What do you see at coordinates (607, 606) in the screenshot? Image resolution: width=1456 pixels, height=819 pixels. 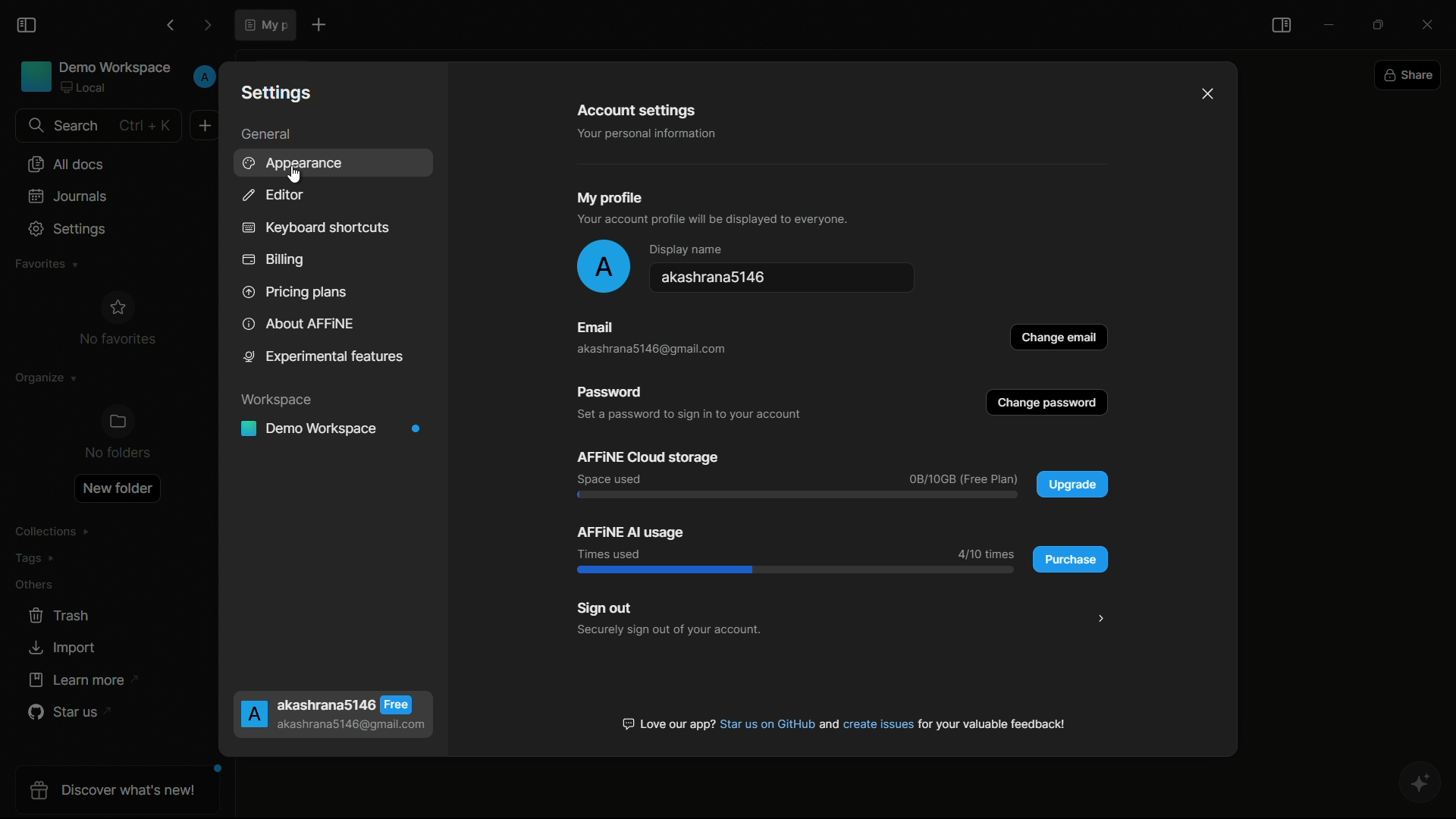 I see `sign out` at bounding box center [607, 606].